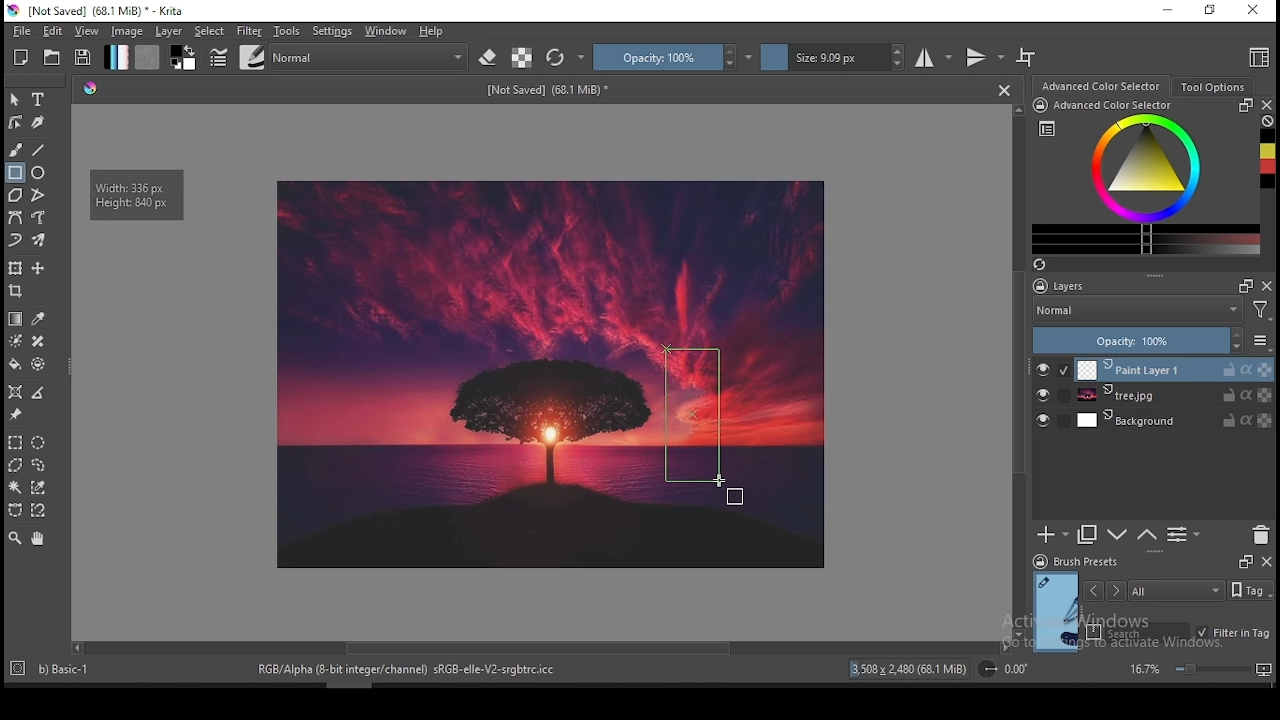  I want to click on multibrush tool, so click(40, 240).